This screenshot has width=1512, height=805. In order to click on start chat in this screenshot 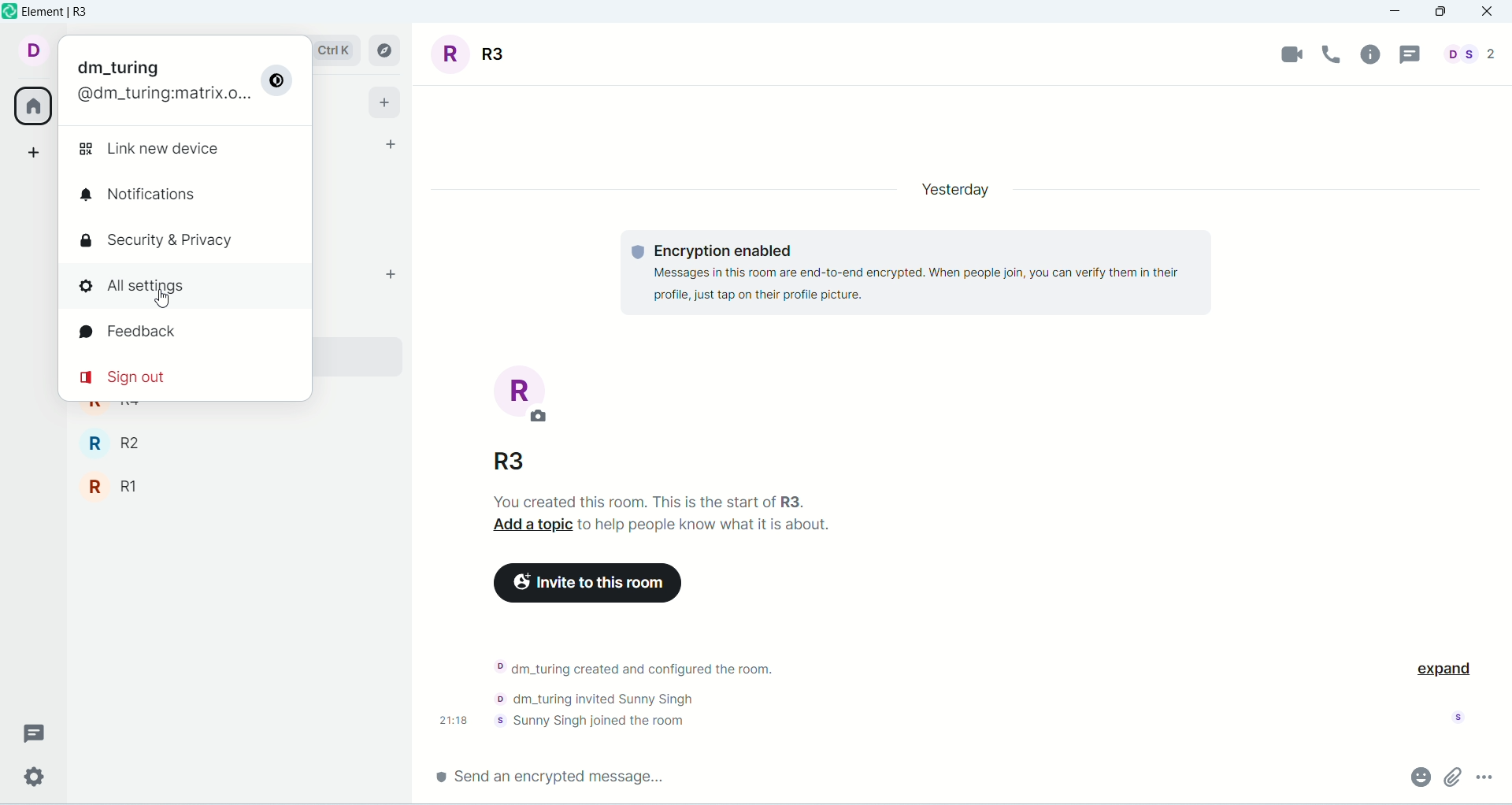, I will do `click(390, 145)`.